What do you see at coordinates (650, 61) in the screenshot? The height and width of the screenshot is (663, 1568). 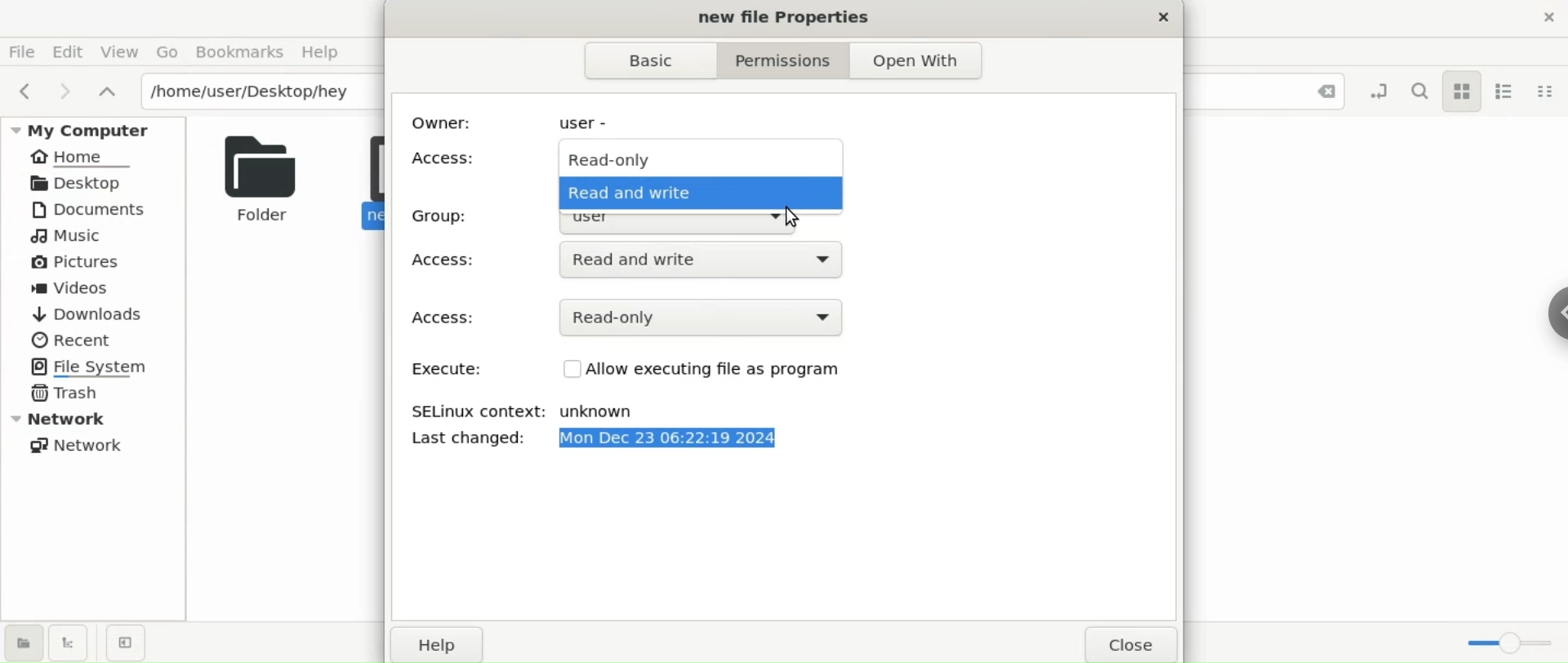 I see `Basic` at bounding box center [650, 61].